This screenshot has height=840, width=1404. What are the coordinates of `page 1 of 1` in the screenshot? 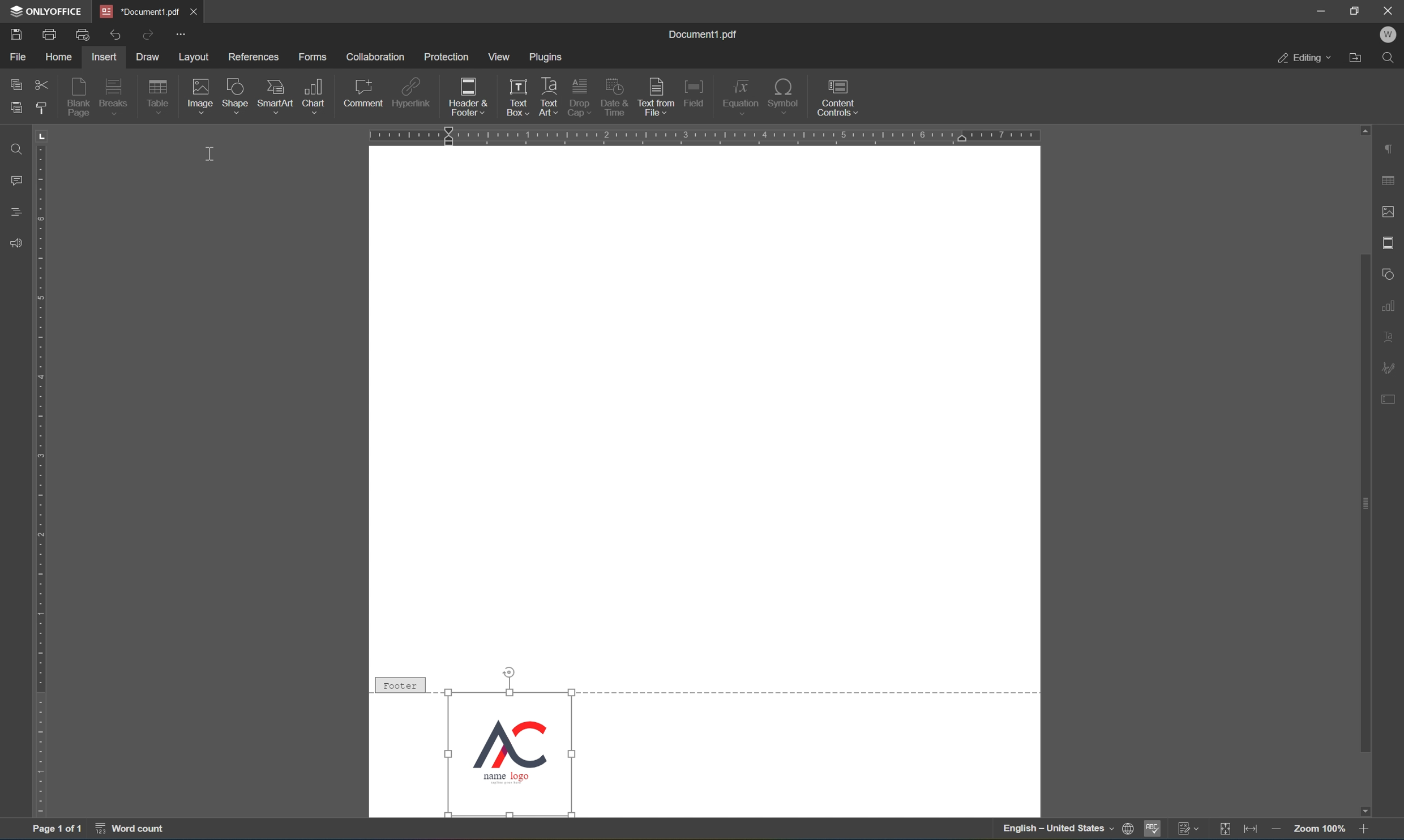 It's located at (59, 826).